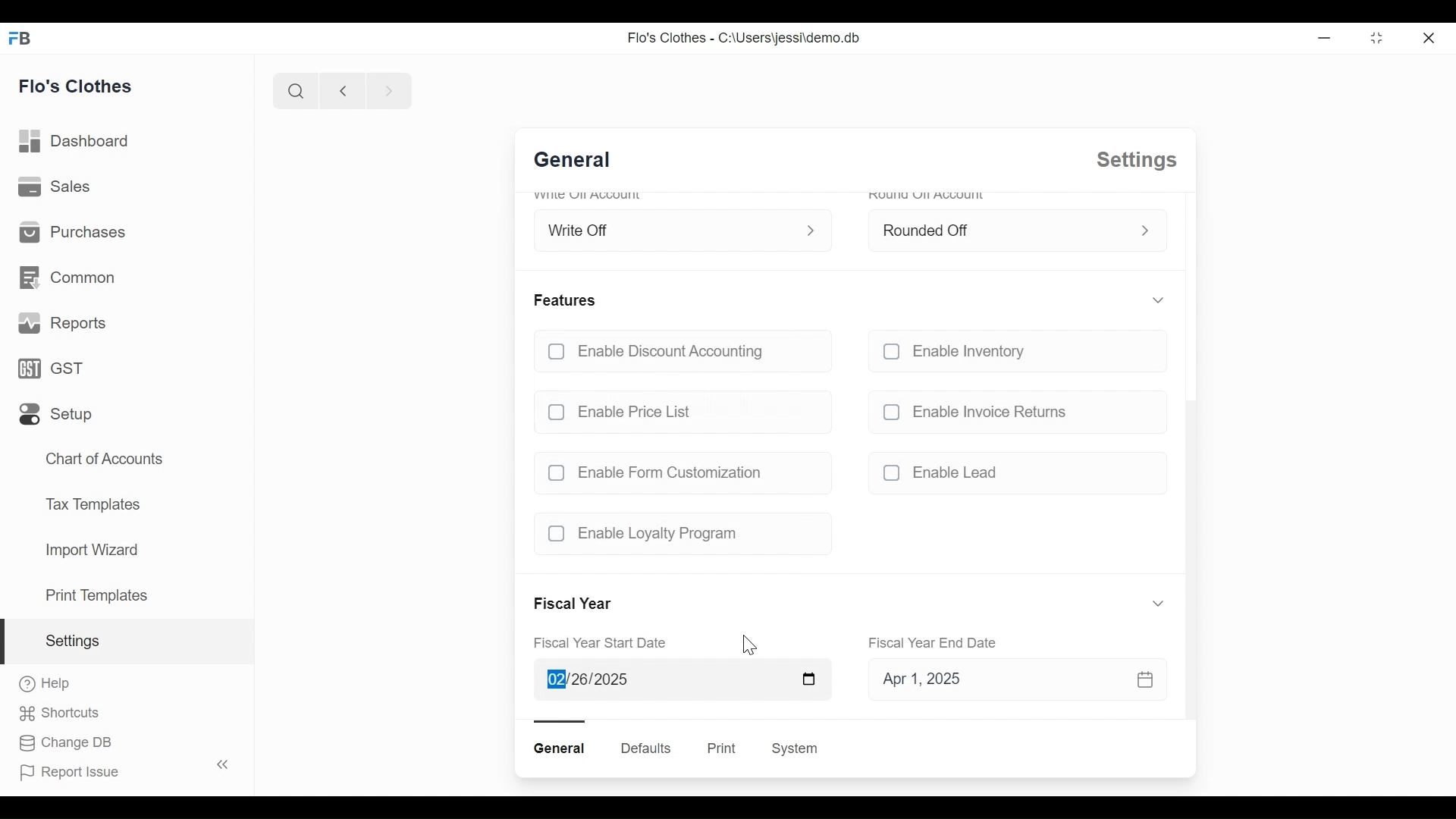  I want to click on Cursor , so click(749, 645).